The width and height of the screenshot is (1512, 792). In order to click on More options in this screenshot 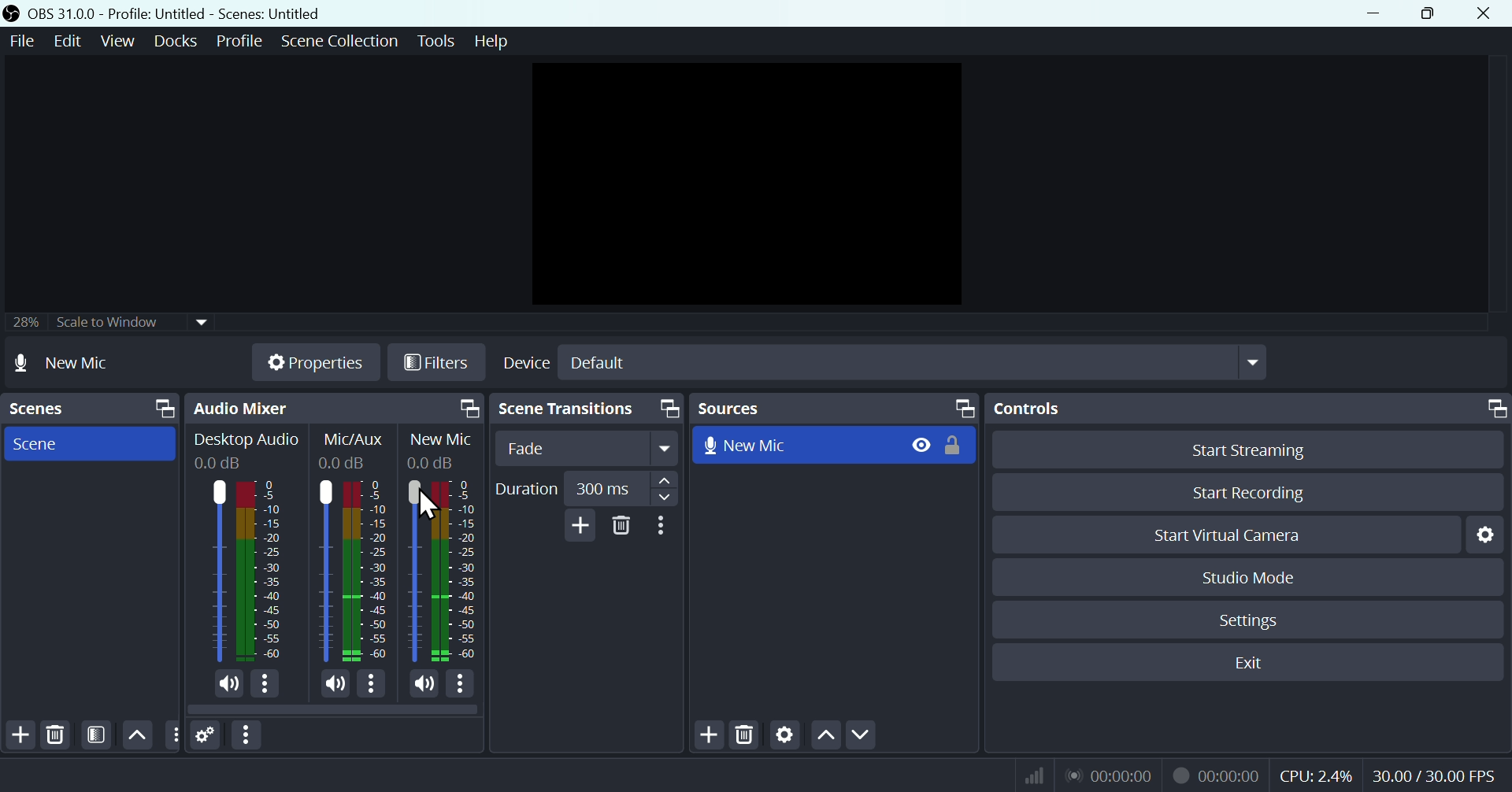, I will do `click(664, 526)`.